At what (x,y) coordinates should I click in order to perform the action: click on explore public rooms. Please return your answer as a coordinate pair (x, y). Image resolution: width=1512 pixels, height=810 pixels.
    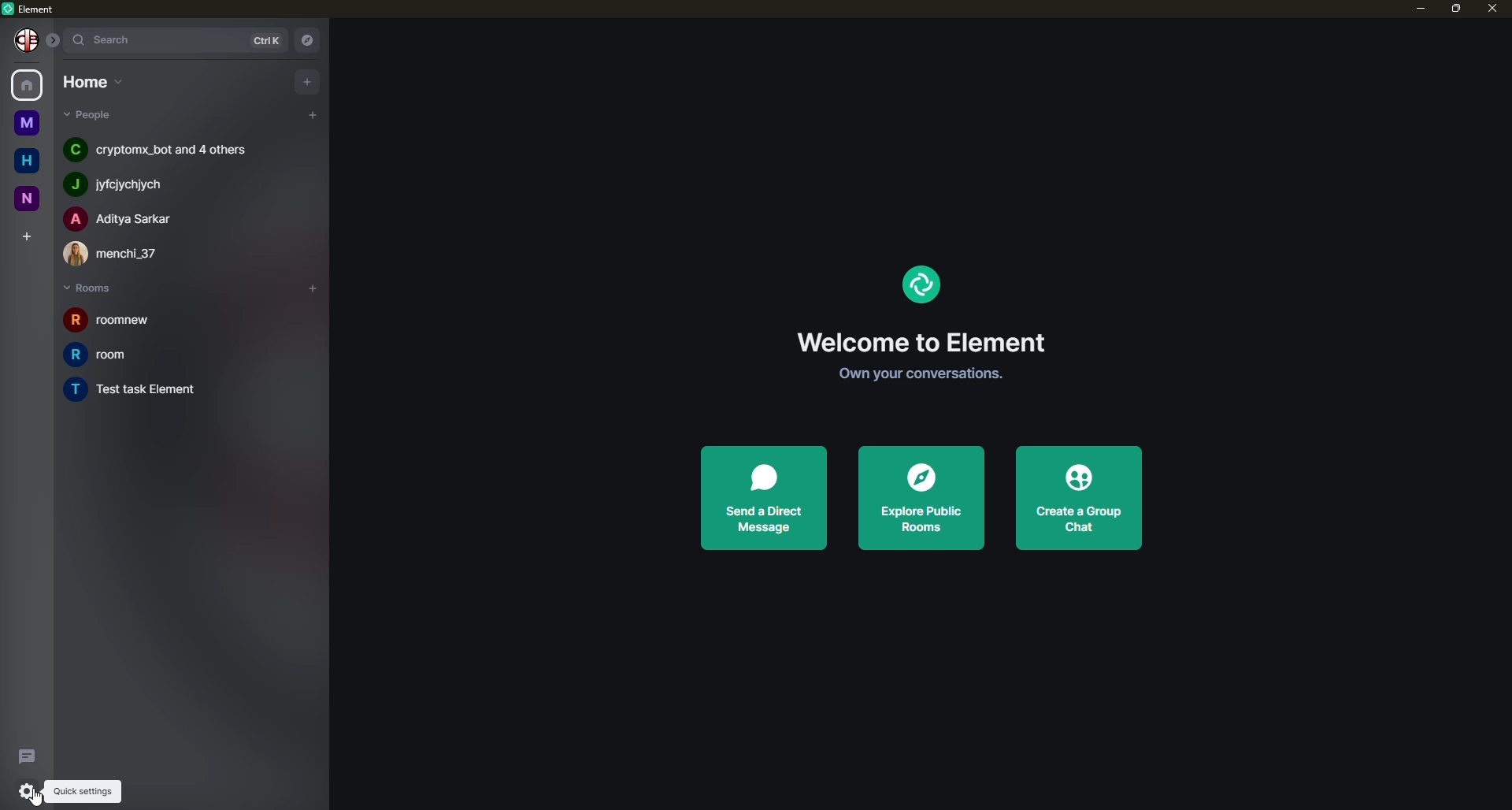
    Looking at the image, I should click on (918, 500).